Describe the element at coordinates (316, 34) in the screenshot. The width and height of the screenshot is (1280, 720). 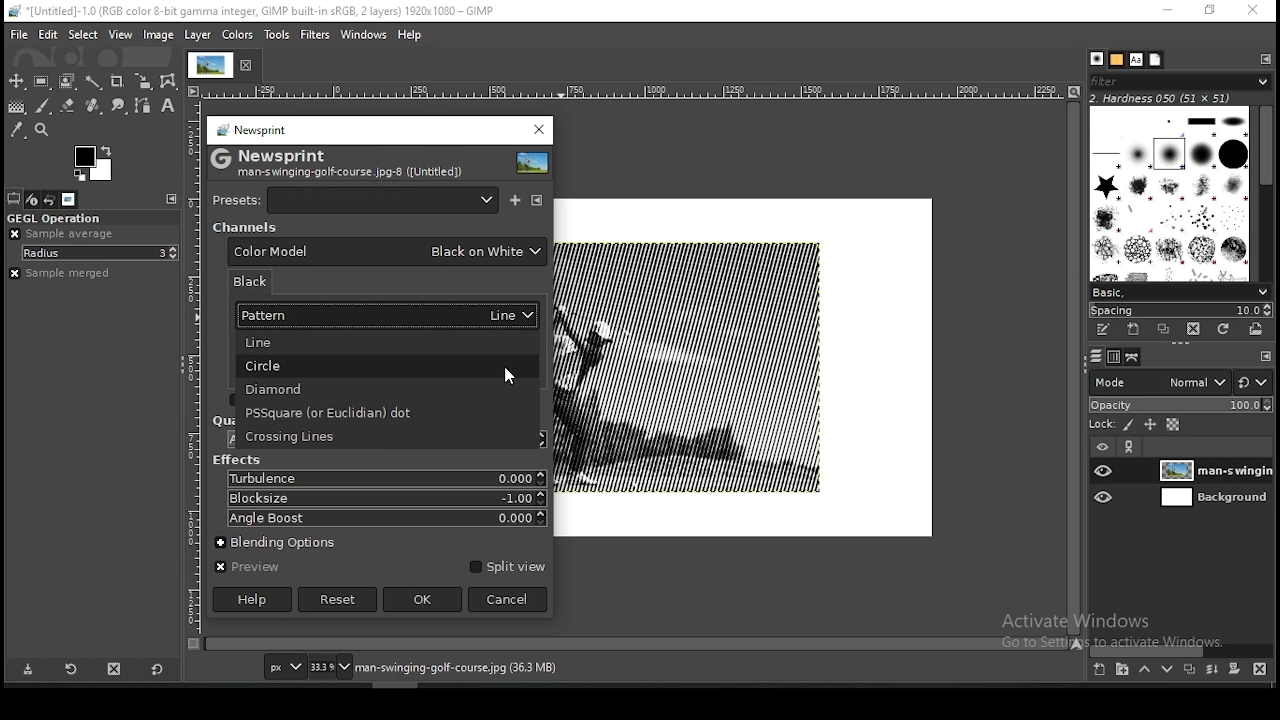
I see `filters` at that location.